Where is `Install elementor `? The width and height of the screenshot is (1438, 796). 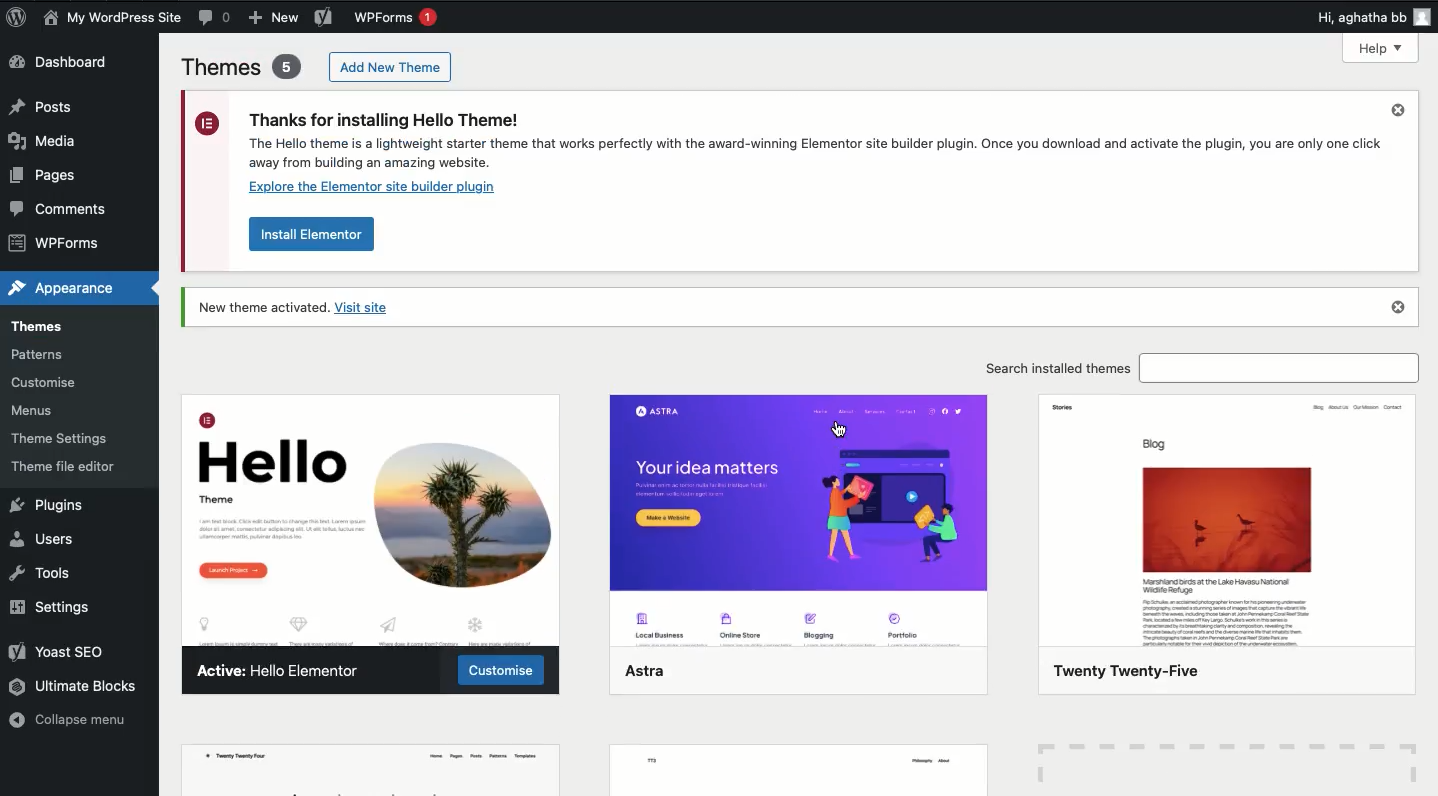 Install elementor  is located at coordinates (313, 237).